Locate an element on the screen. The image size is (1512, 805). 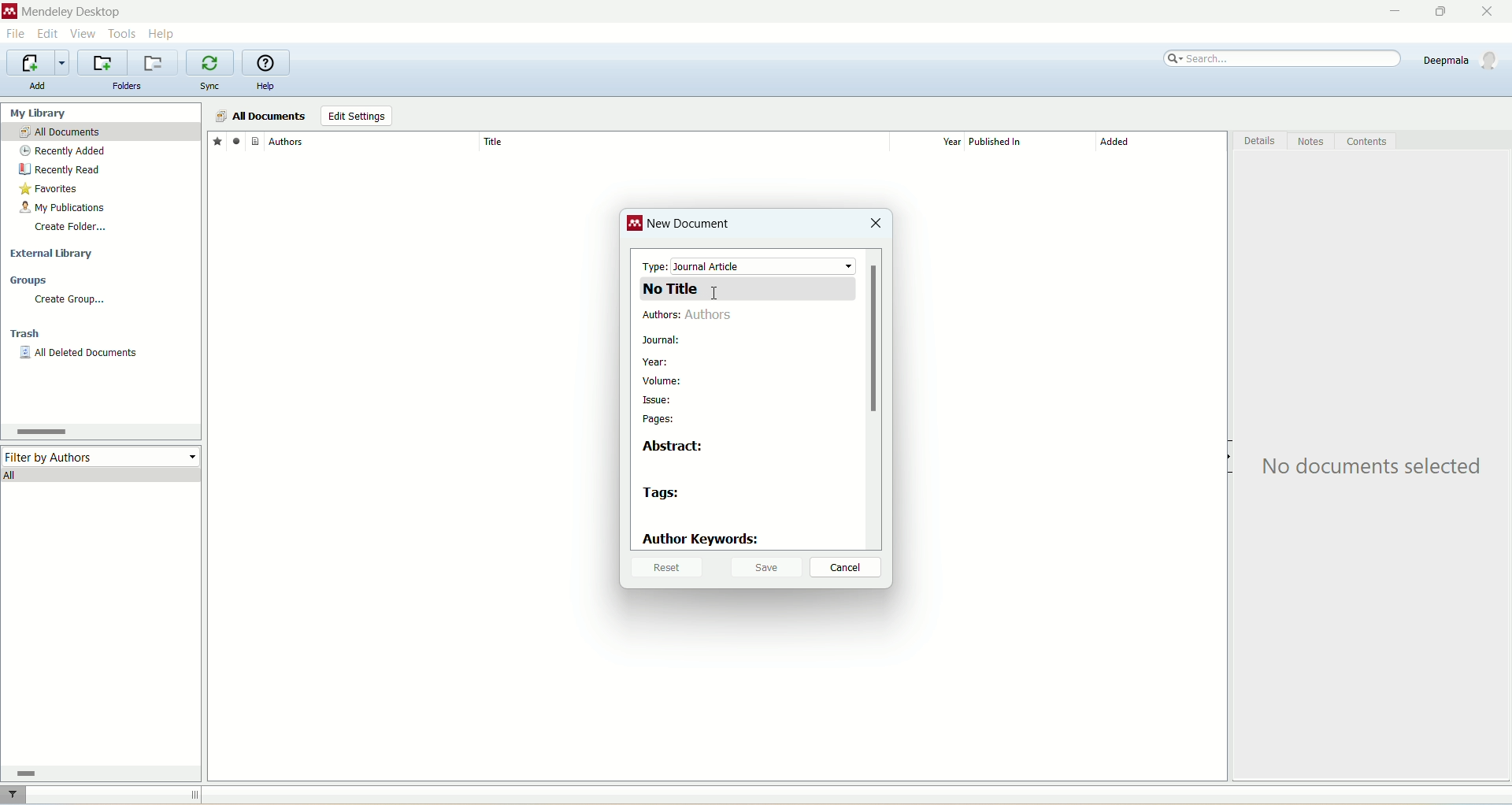
volume is located at coordinates (667, 380).